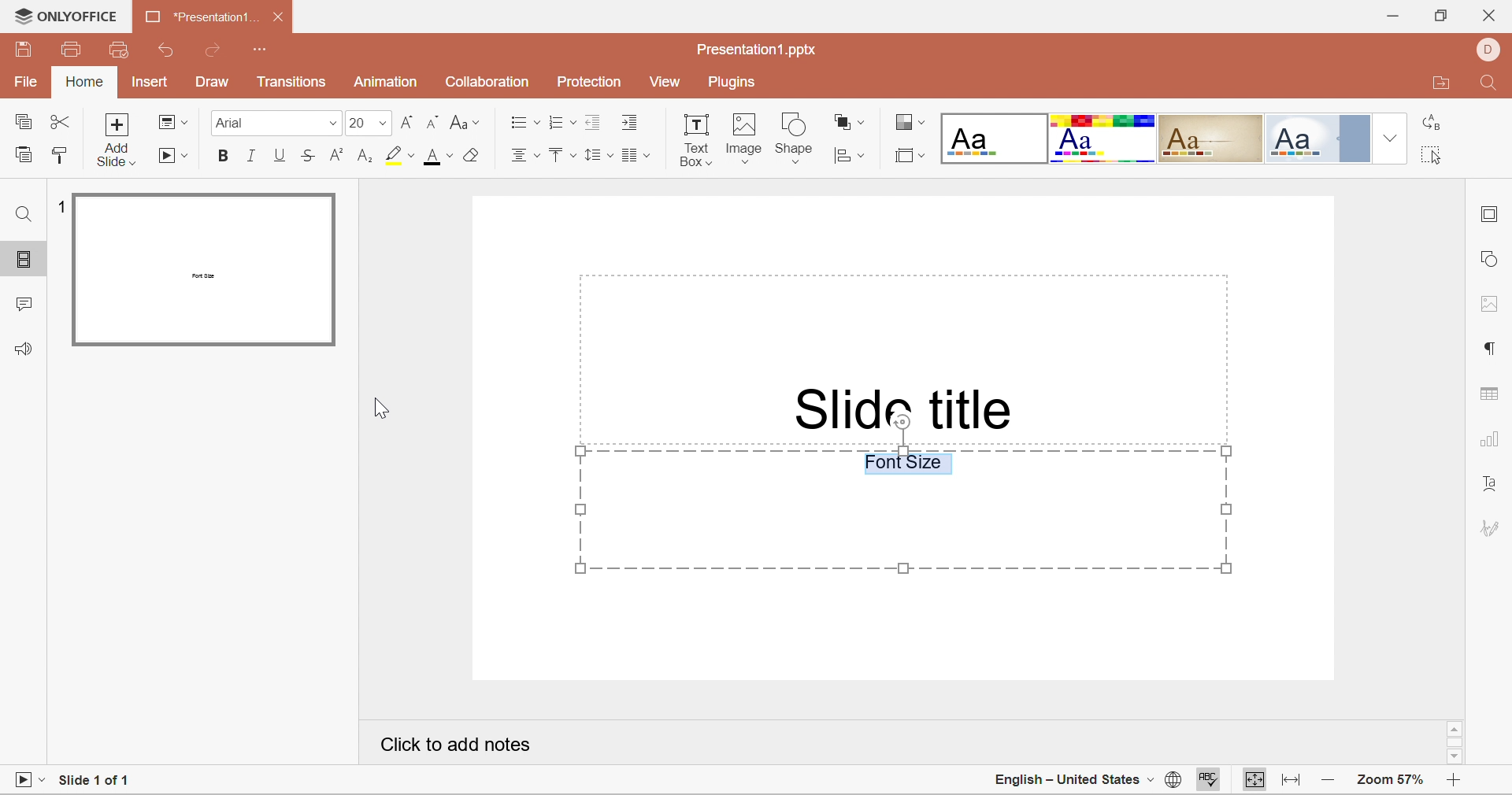 This screenshot has width=1512, height=795. I want to click on DELL, so click(1489, 49).